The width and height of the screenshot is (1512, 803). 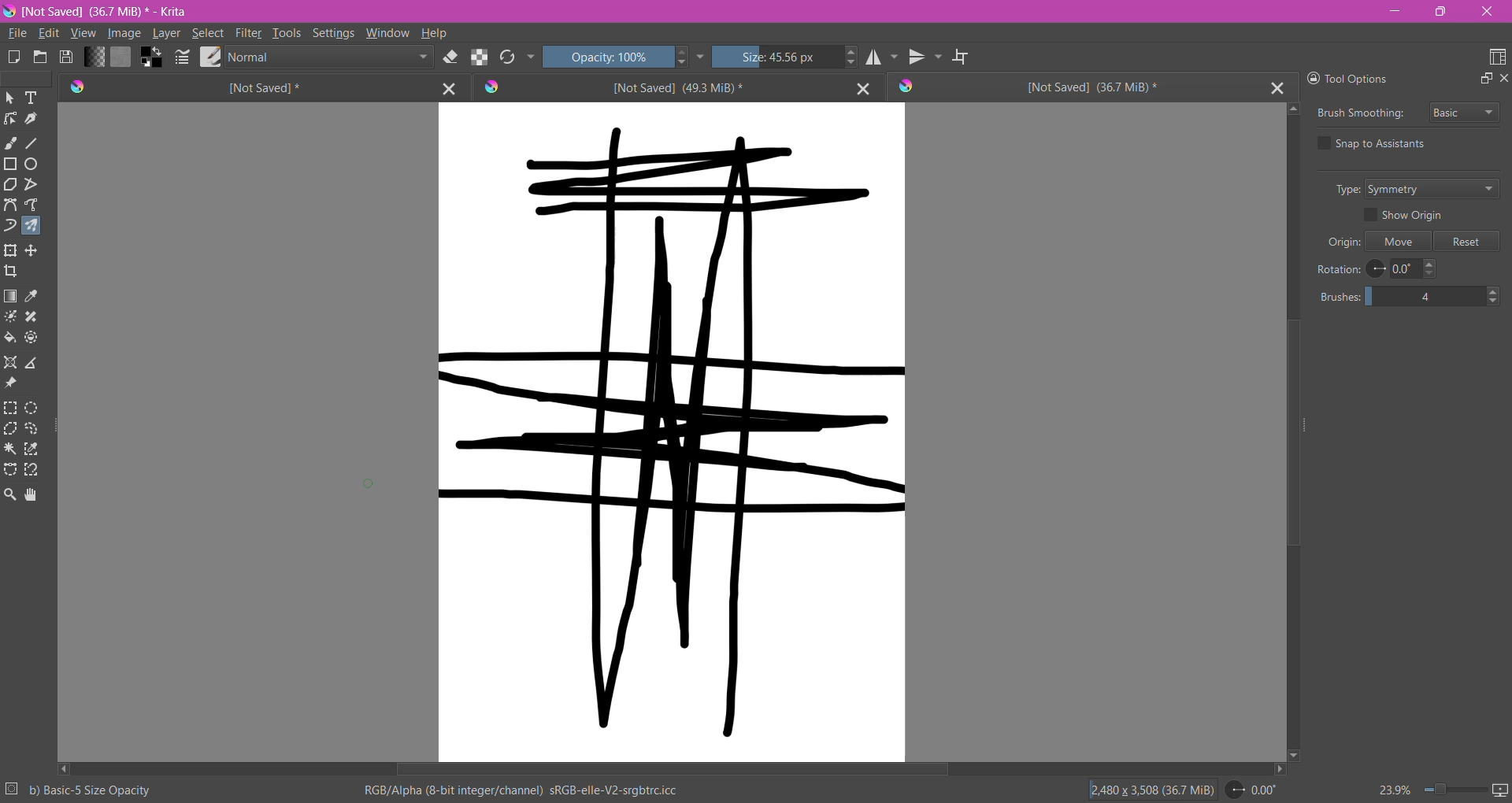 What do you see at coordinates (111, 12) in the screenshot?
I see `File Name, Size` at bounding box center [111, 12].